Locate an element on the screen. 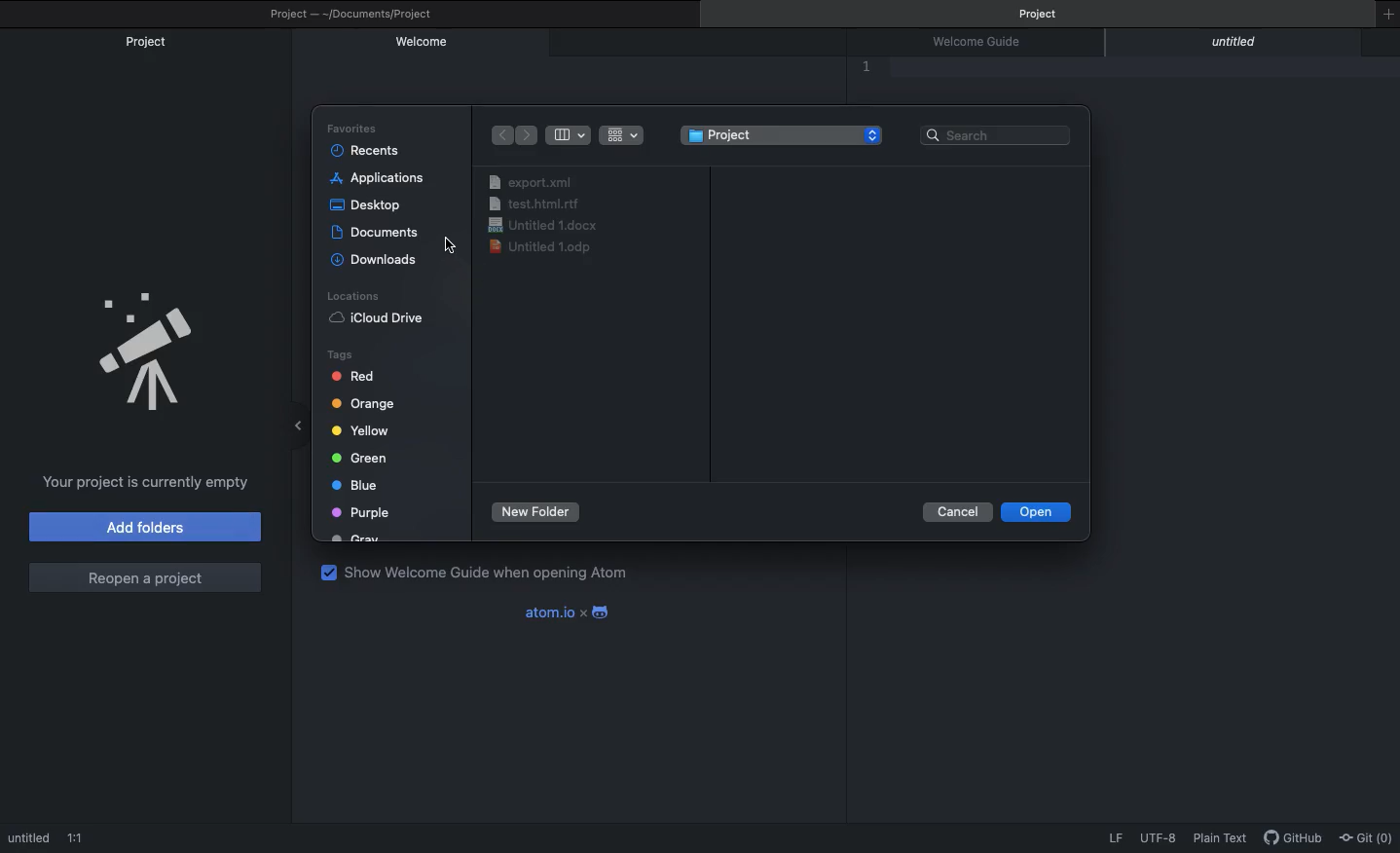 The width and height of the screenshot is (1400, 853). Project is located at coordinates (1045, 16).